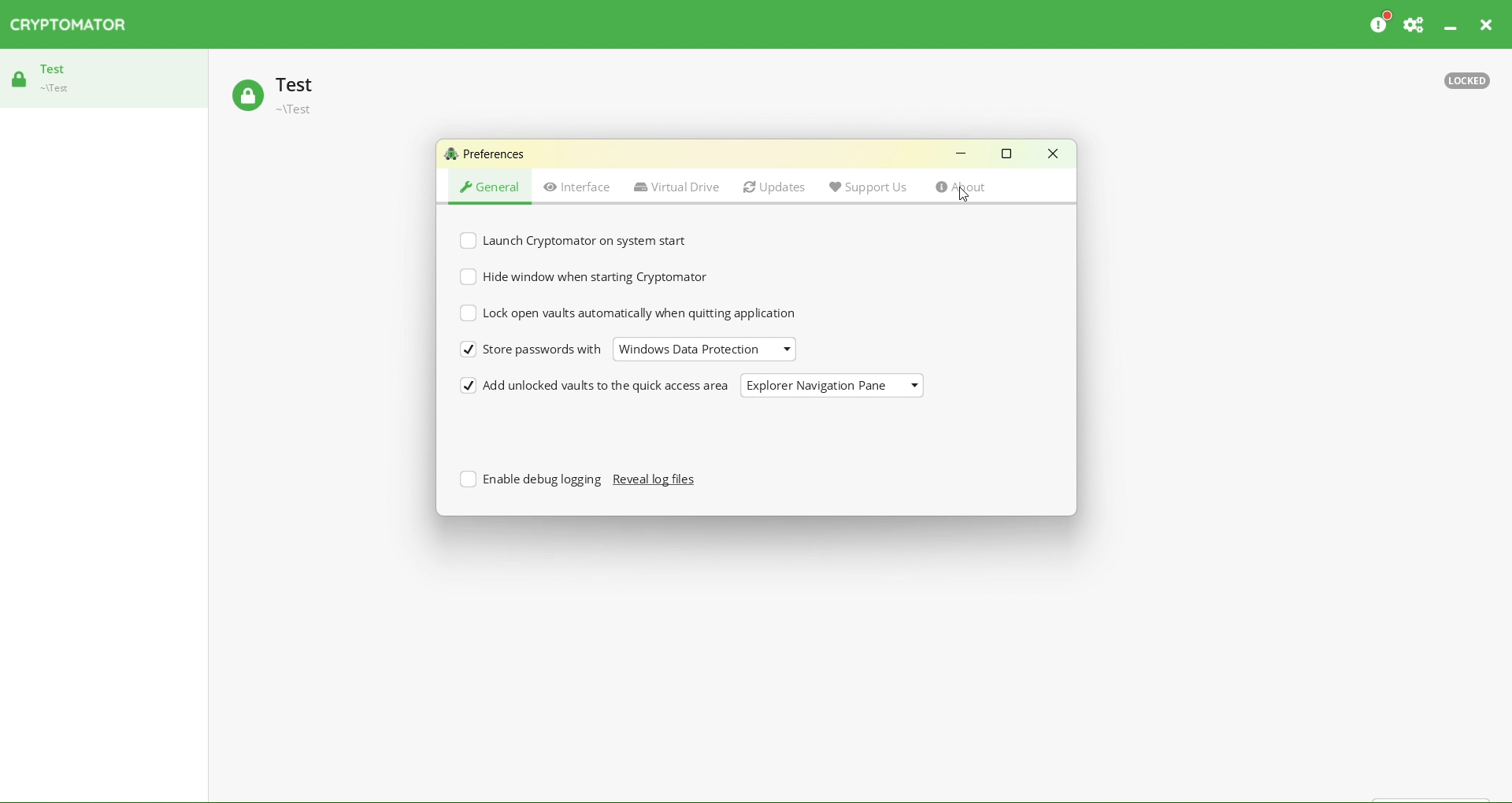 The height and width of the screenshot is (803, 1512). What do you see at coordinates (676, 190) in the screenshot?
I see `Virtual Drive` at bounding box center [676, 190].